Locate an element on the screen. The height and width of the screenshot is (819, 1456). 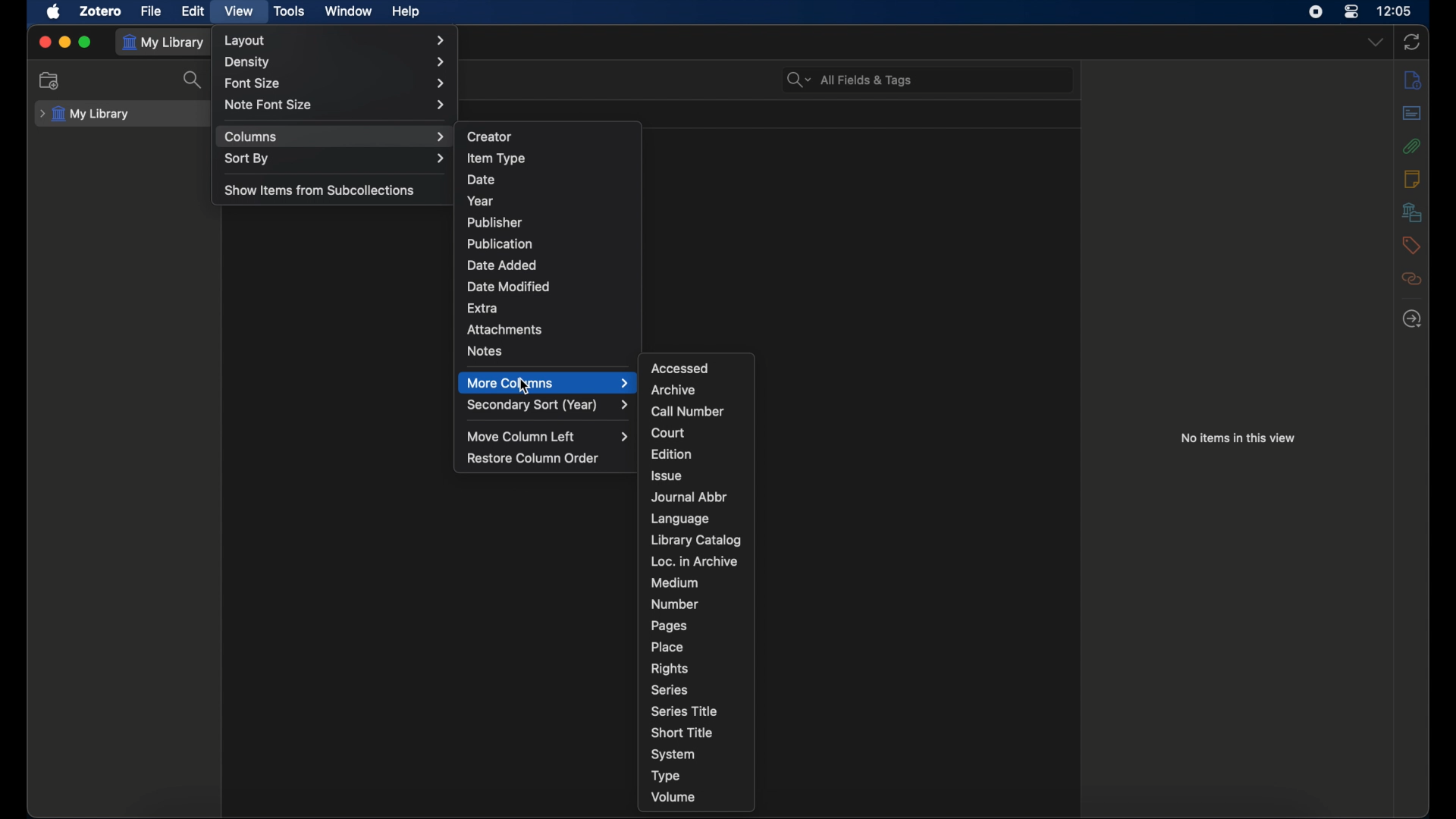
time is located at coordinates (1397, 10).